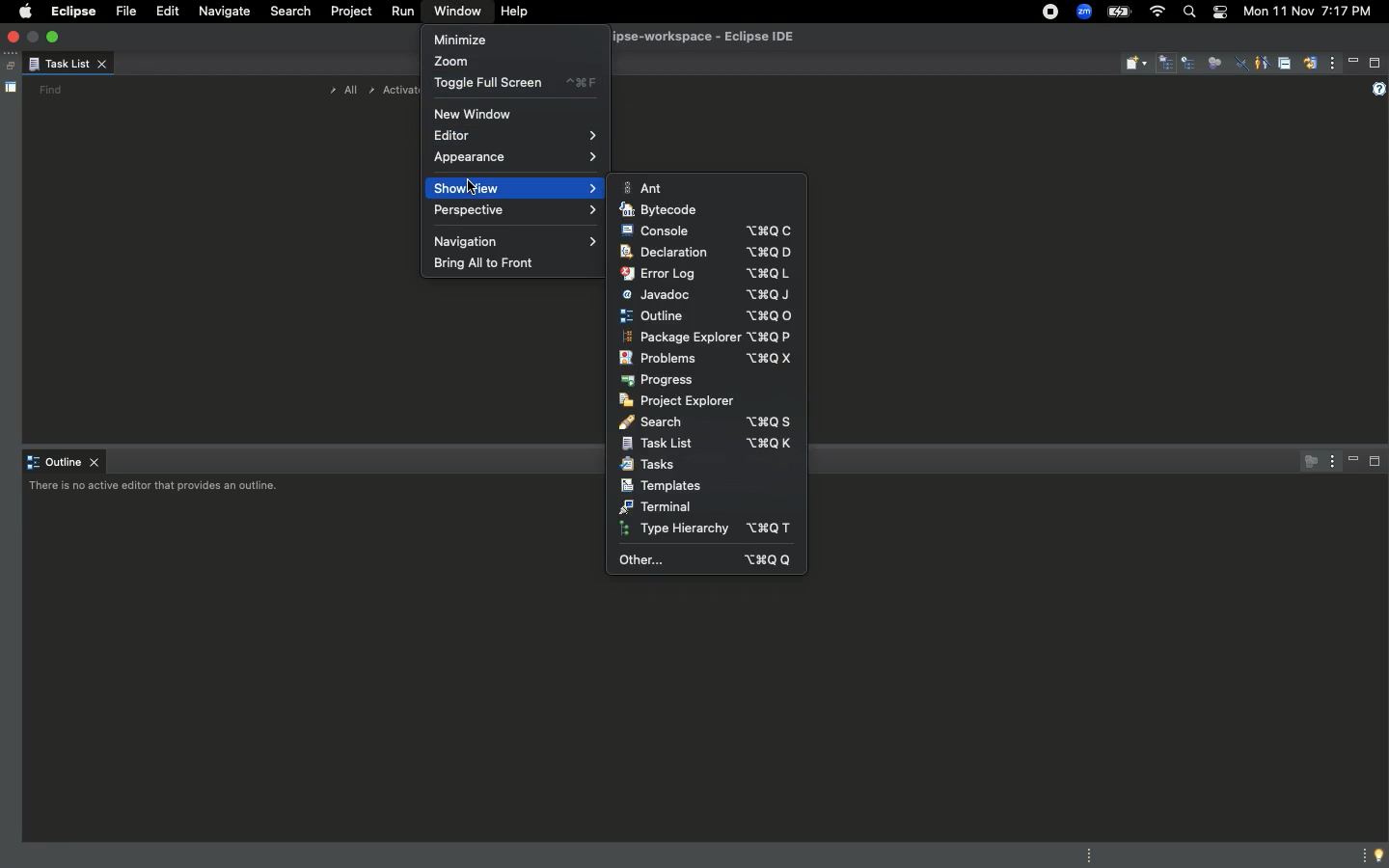  What do you see at coordinates (705, 315) in the screenshot?
I see `Outline` at bounding box center [705, 315].